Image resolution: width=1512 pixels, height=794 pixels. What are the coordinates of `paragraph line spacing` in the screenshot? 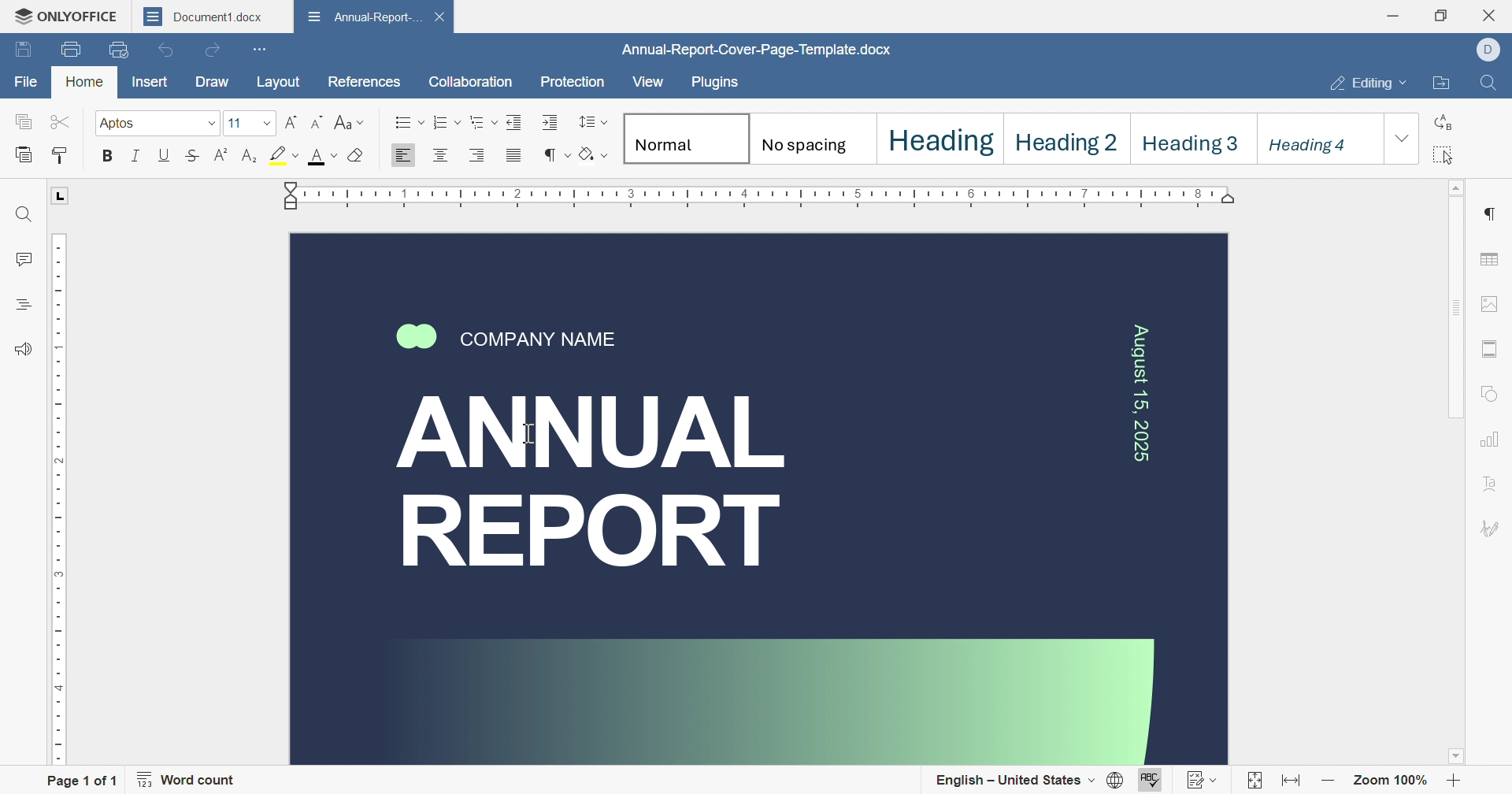 It's located at (591, 123).